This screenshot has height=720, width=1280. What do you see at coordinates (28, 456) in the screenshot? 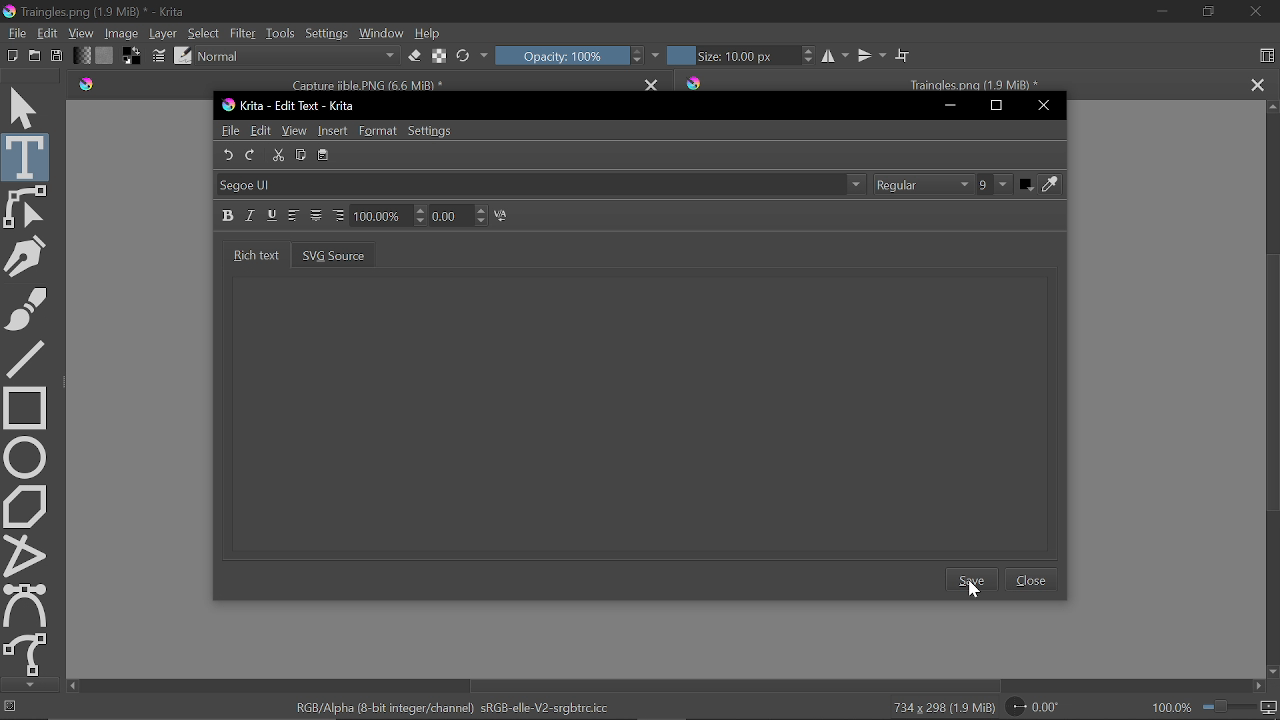
I see `Ellipse tool` at bounding box center [28, 456].